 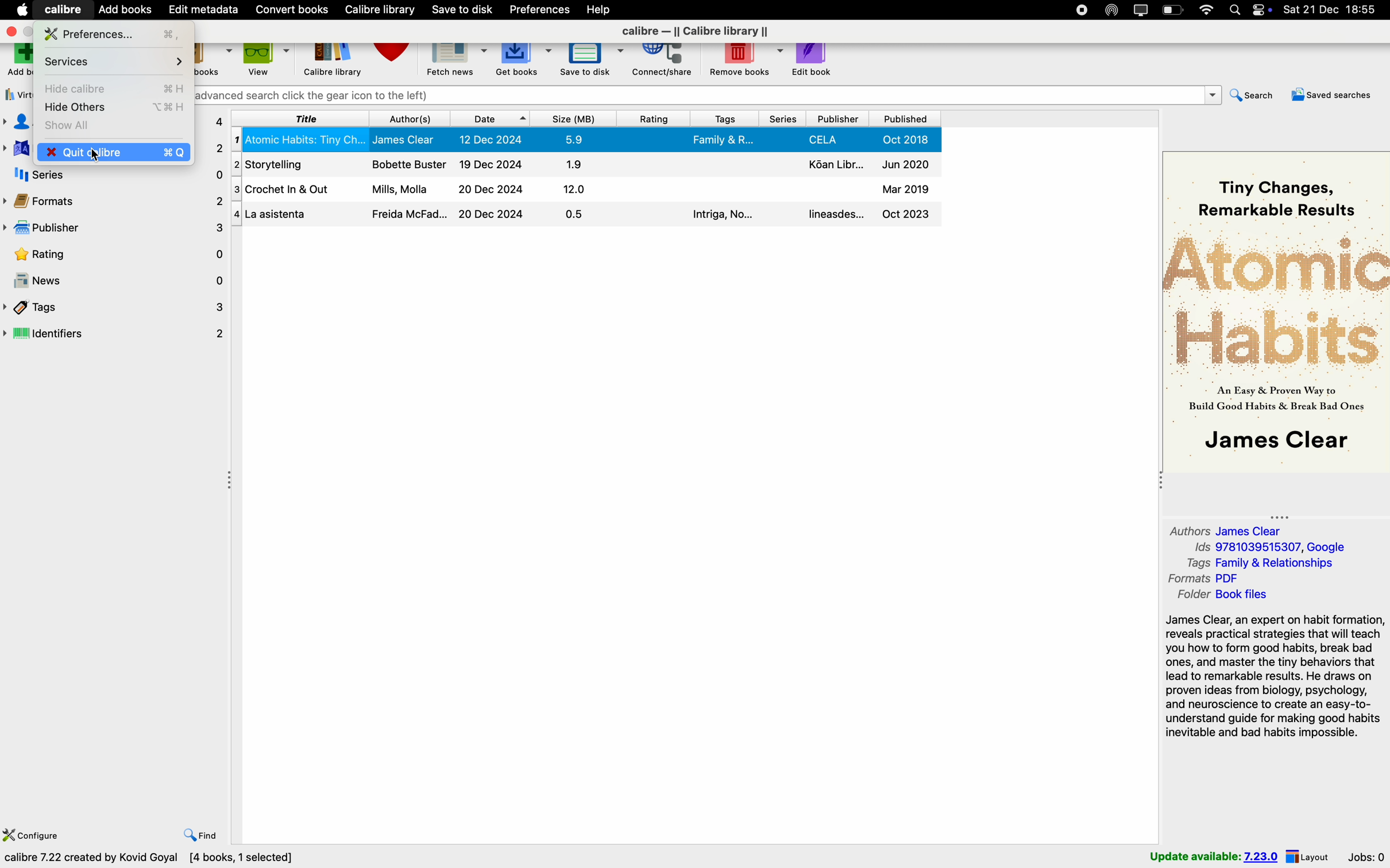 What do you see at coordinates (1248, 97) in the screenshot?
I see `search` at bounding box center [1248, 97].